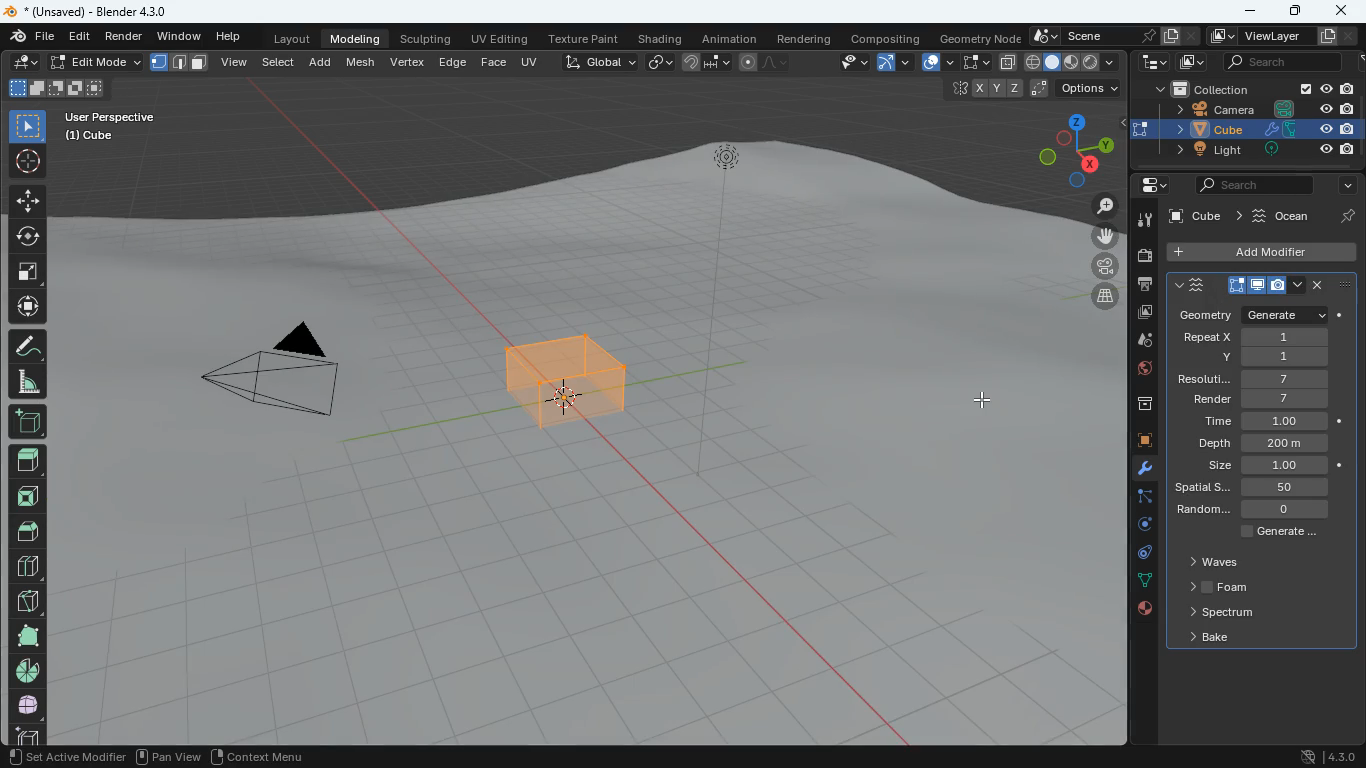 The height and width of the screenshot is (768, 1366). Describe the element at coordinates (1188, 61) in the screenshot. I see `image` at that location.